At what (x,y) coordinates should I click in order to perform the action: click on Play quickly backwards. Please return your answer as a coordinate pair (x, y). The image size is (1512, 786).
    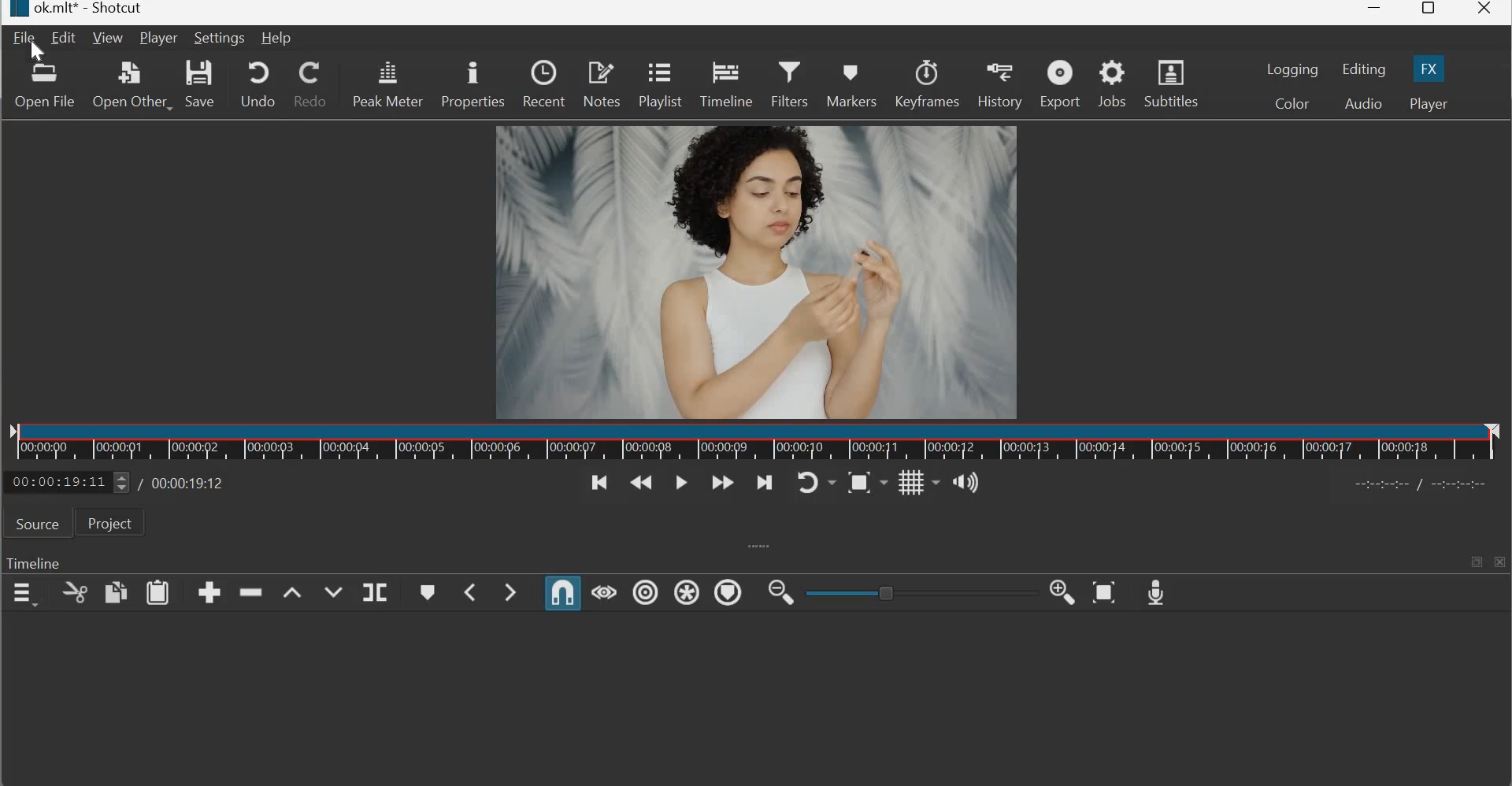
    Looking at the image, I should click on (641, 484).